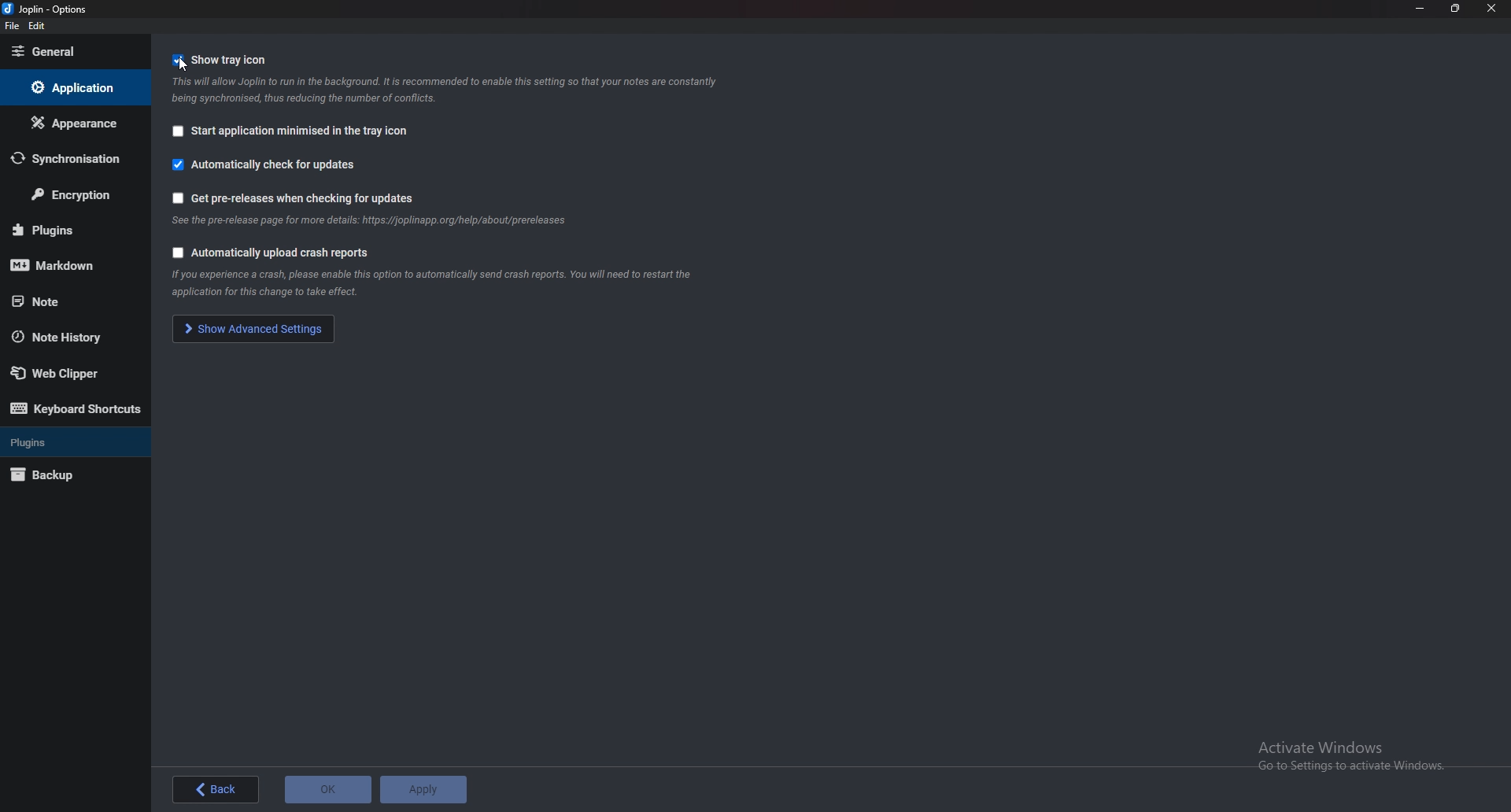 The height and width of the screenshot is (812, 1511). What do you see at coordinates (177, 61) in the screenshot?
I see `Checkbox ` at bounding box center [177, 61].